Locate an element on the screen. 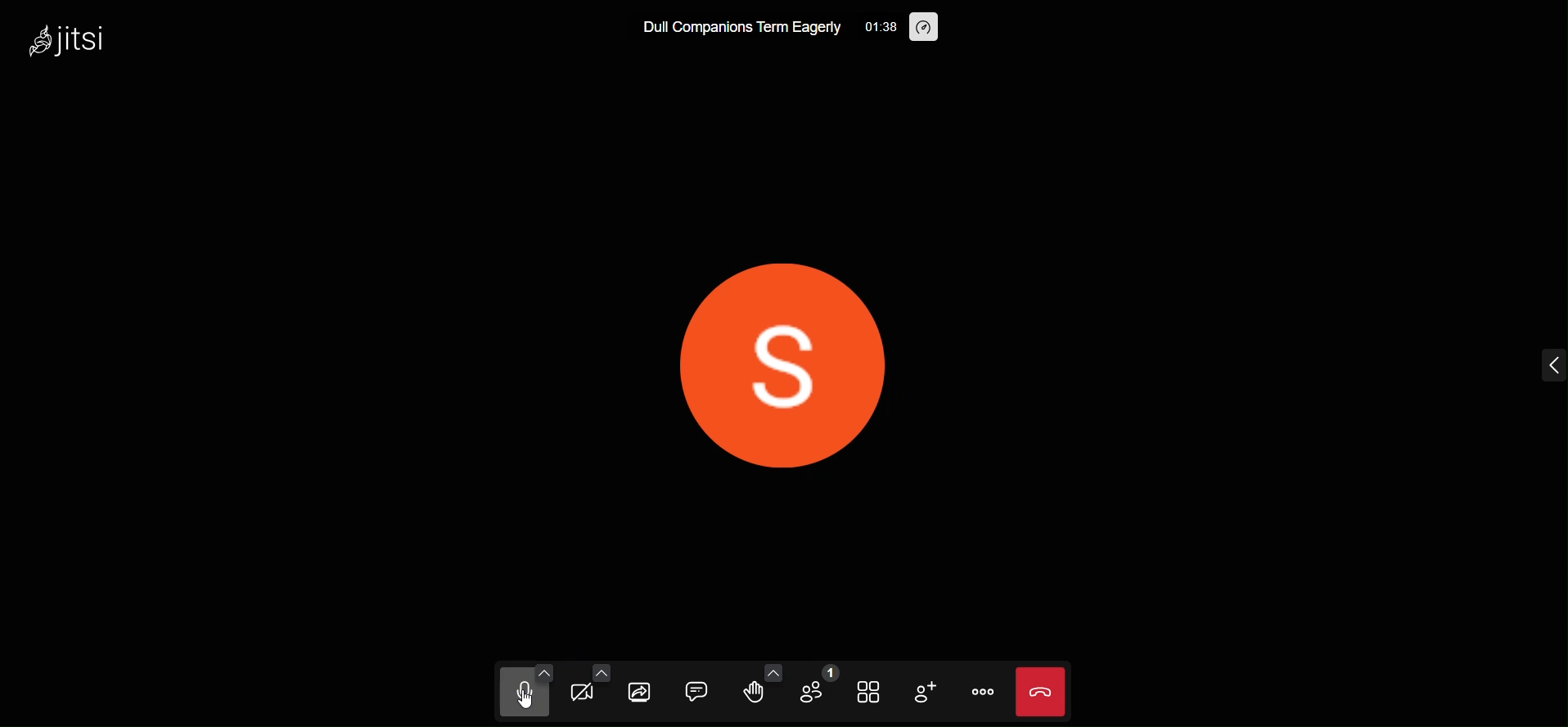 The image size is (1568, 727). expand is located at coordinates (1549, 366).